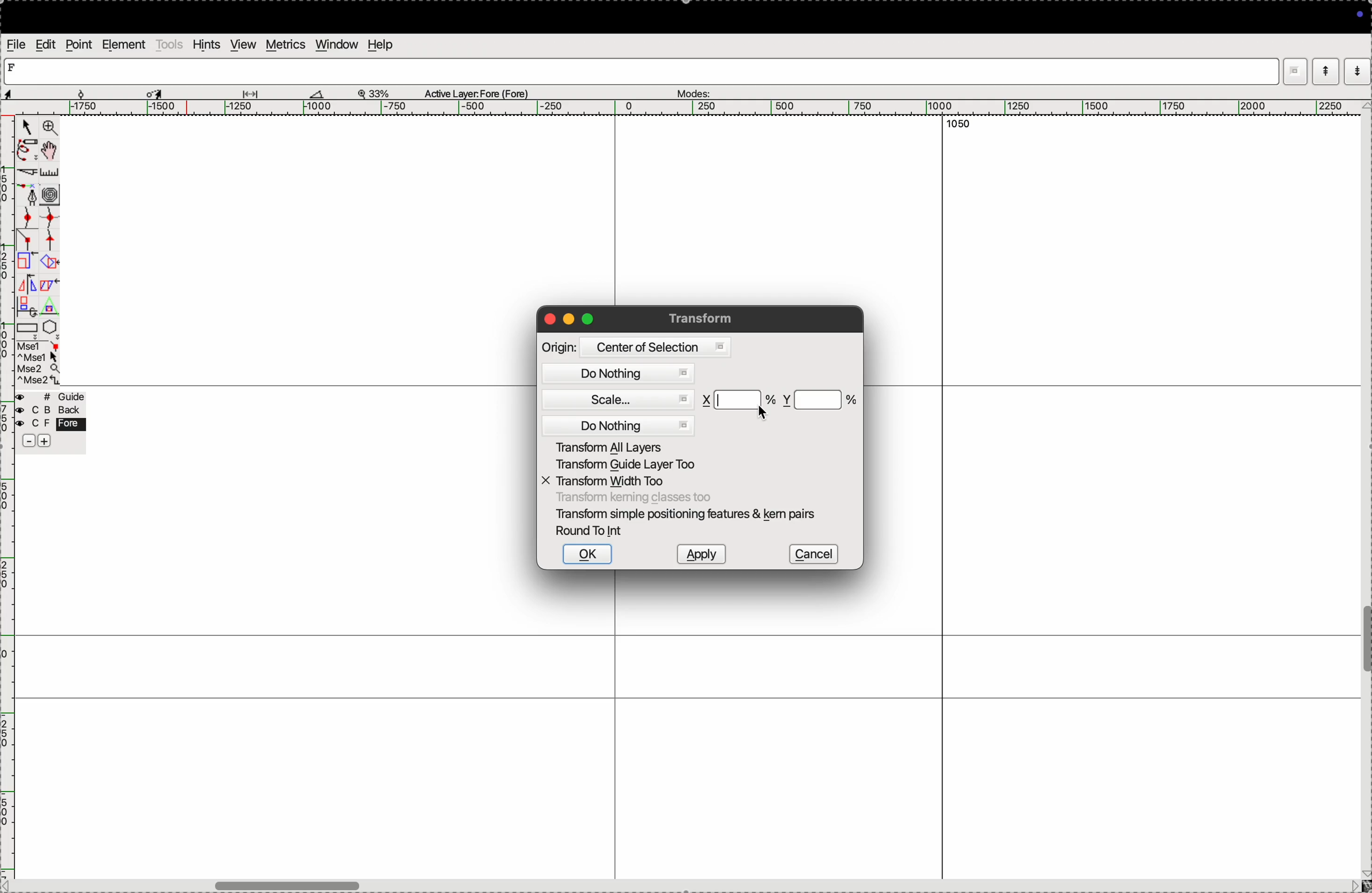 Image resolution: width=1372 pixels, height=893 pixels. What do you see at coordinates (787, 400) in the screenshot?
I see `y co ordinate` at bounding box center [787, 400].